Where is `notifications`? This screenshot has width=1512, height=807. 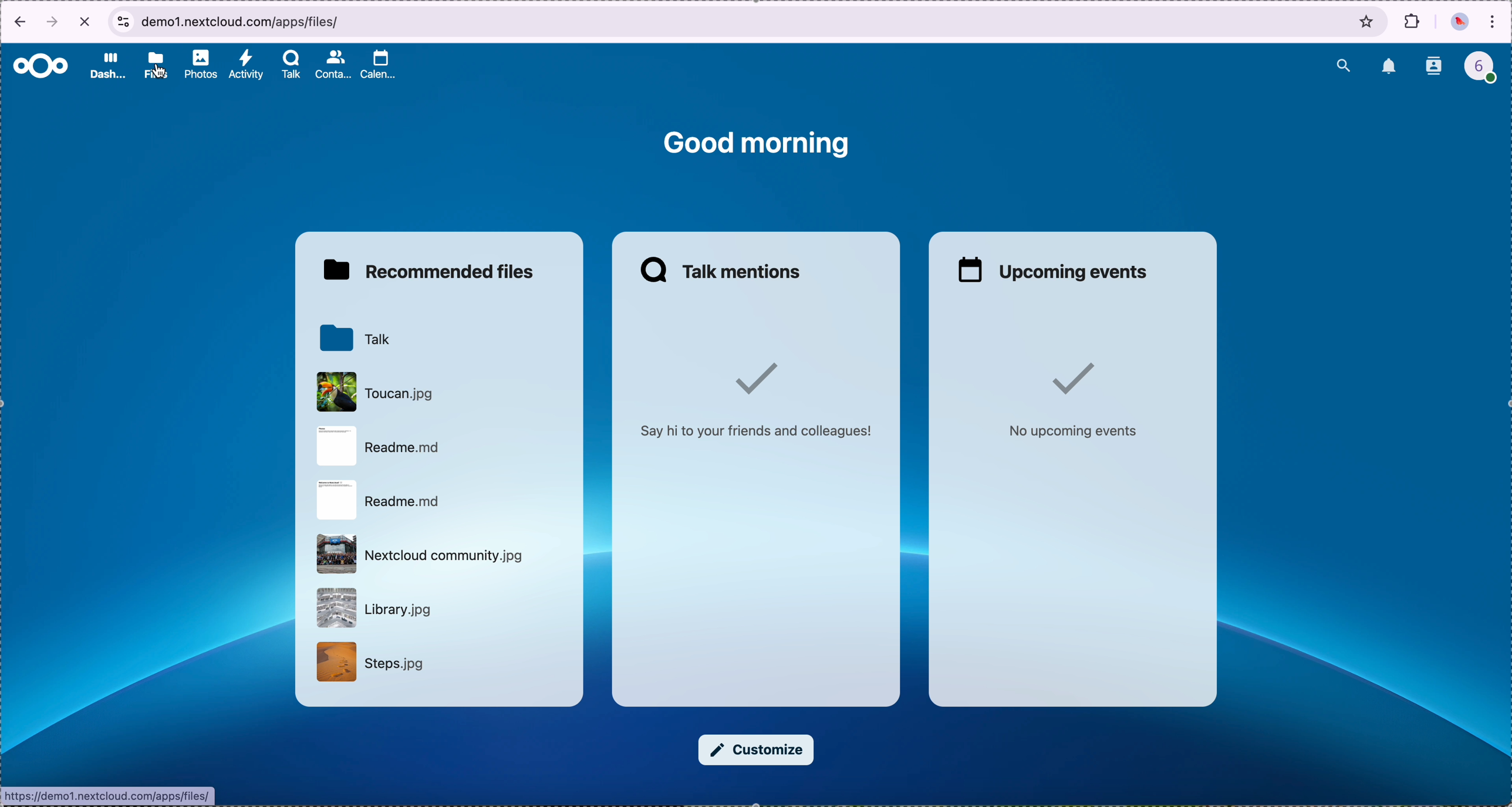 notifications is located at coordinates (1390, 67).